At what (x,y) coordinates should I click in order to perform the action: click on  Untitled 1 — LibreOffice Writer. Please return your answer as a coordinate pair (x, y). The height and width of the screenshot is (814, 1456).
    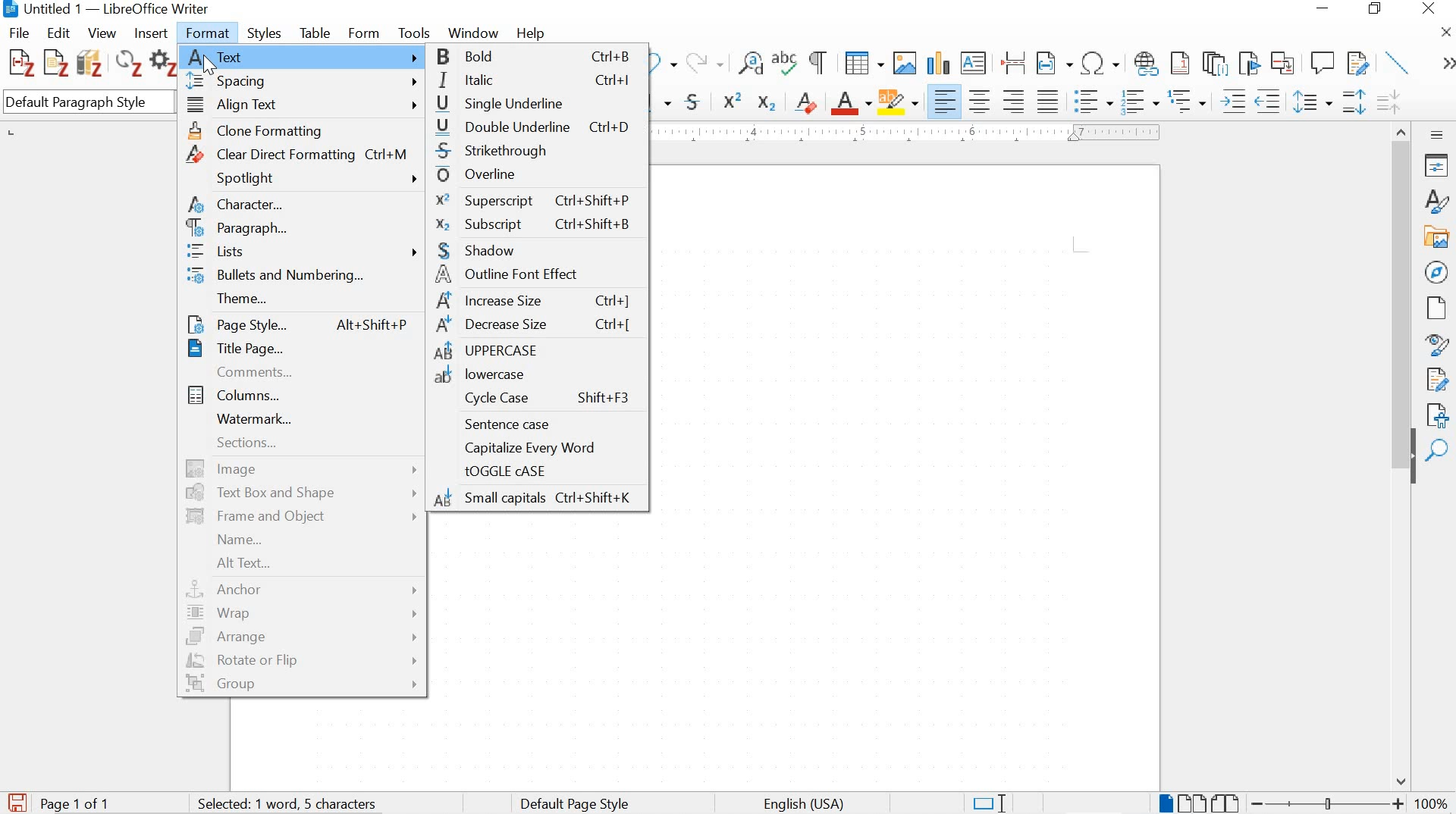
    Looking at the image, I should click on (109, 9).